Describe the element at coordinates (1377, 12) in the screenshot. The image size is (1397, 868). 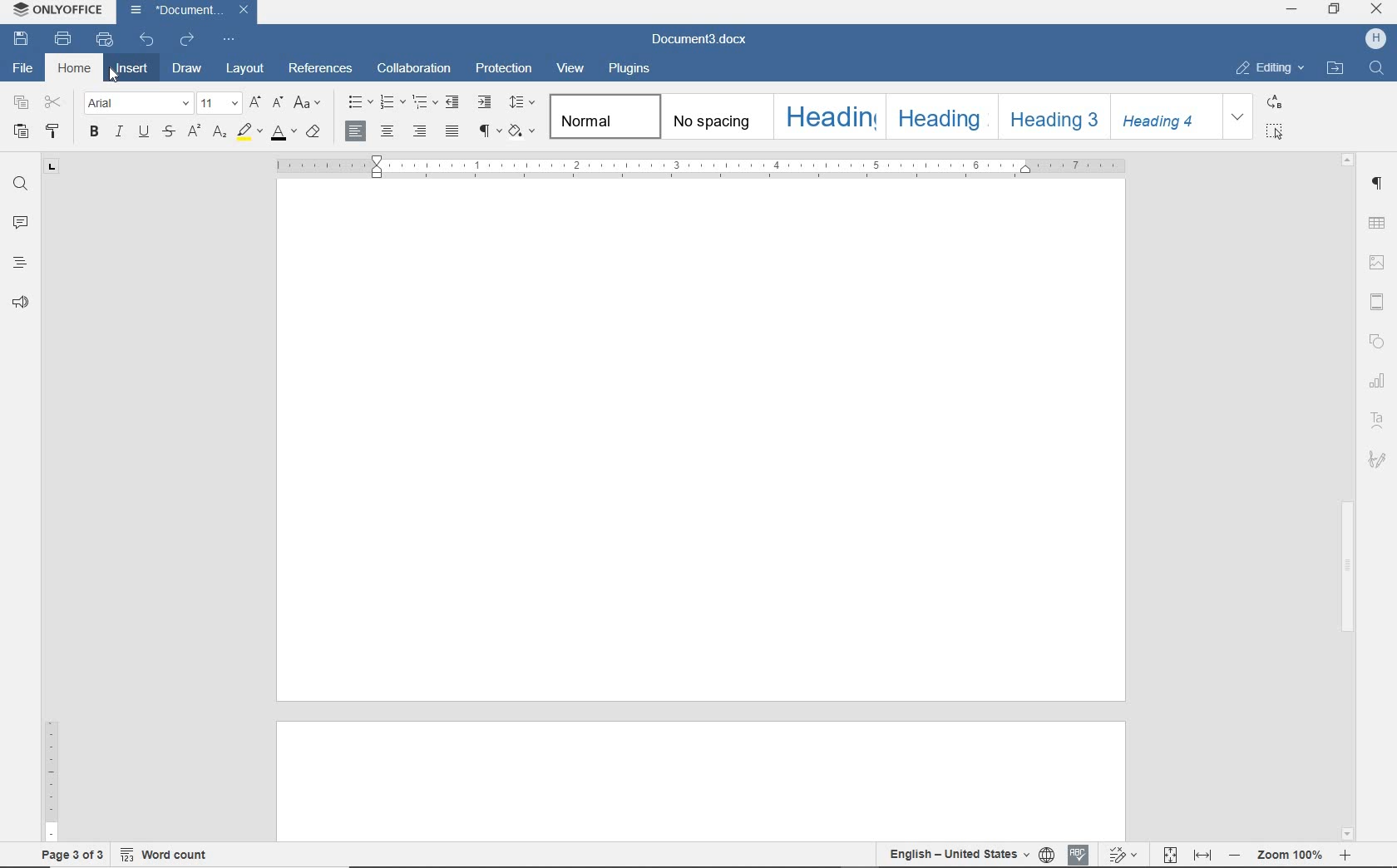
I see `CLOSE` at that location.